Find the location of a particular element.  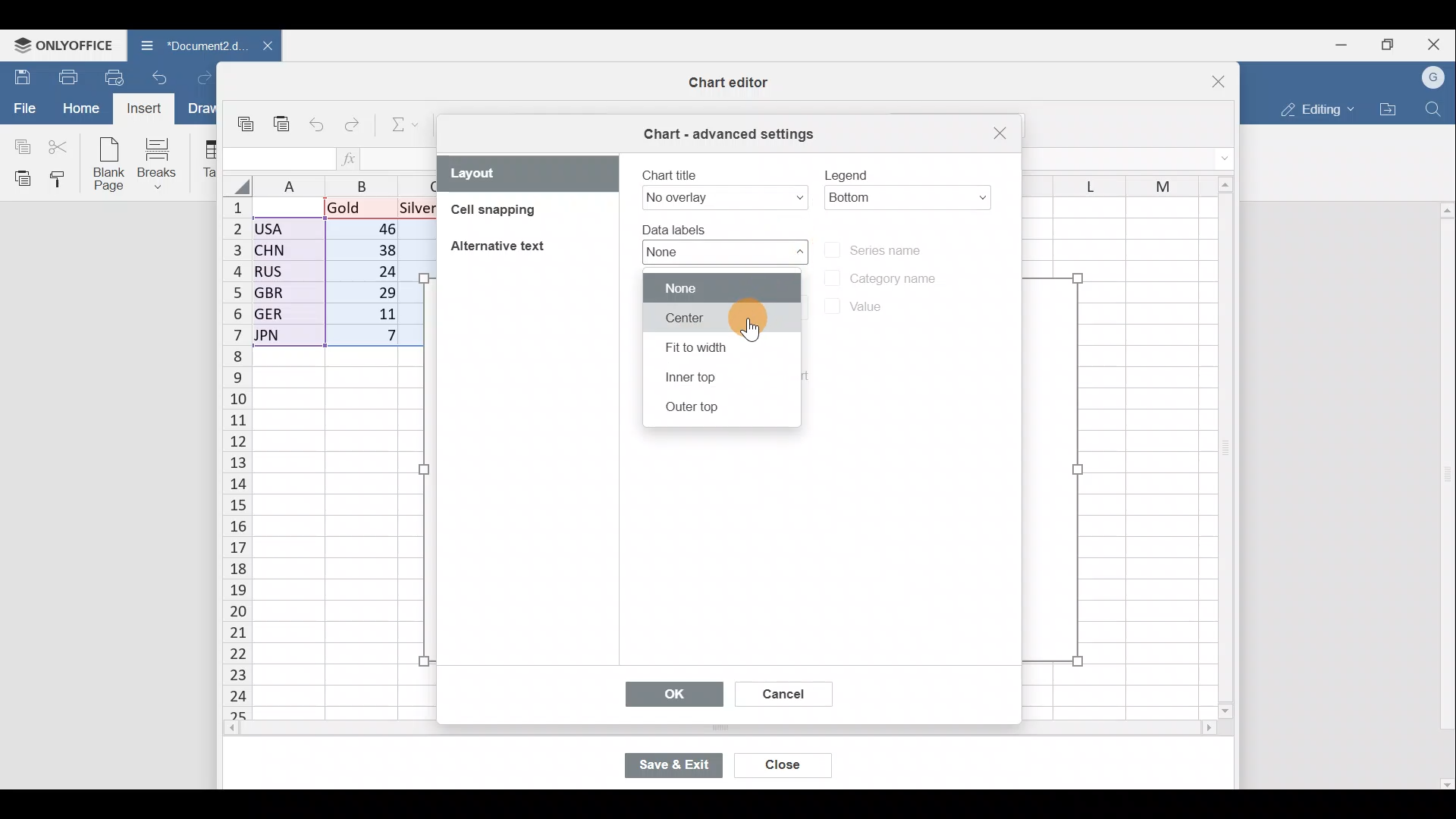

Data is located at coordinates (337, 272).